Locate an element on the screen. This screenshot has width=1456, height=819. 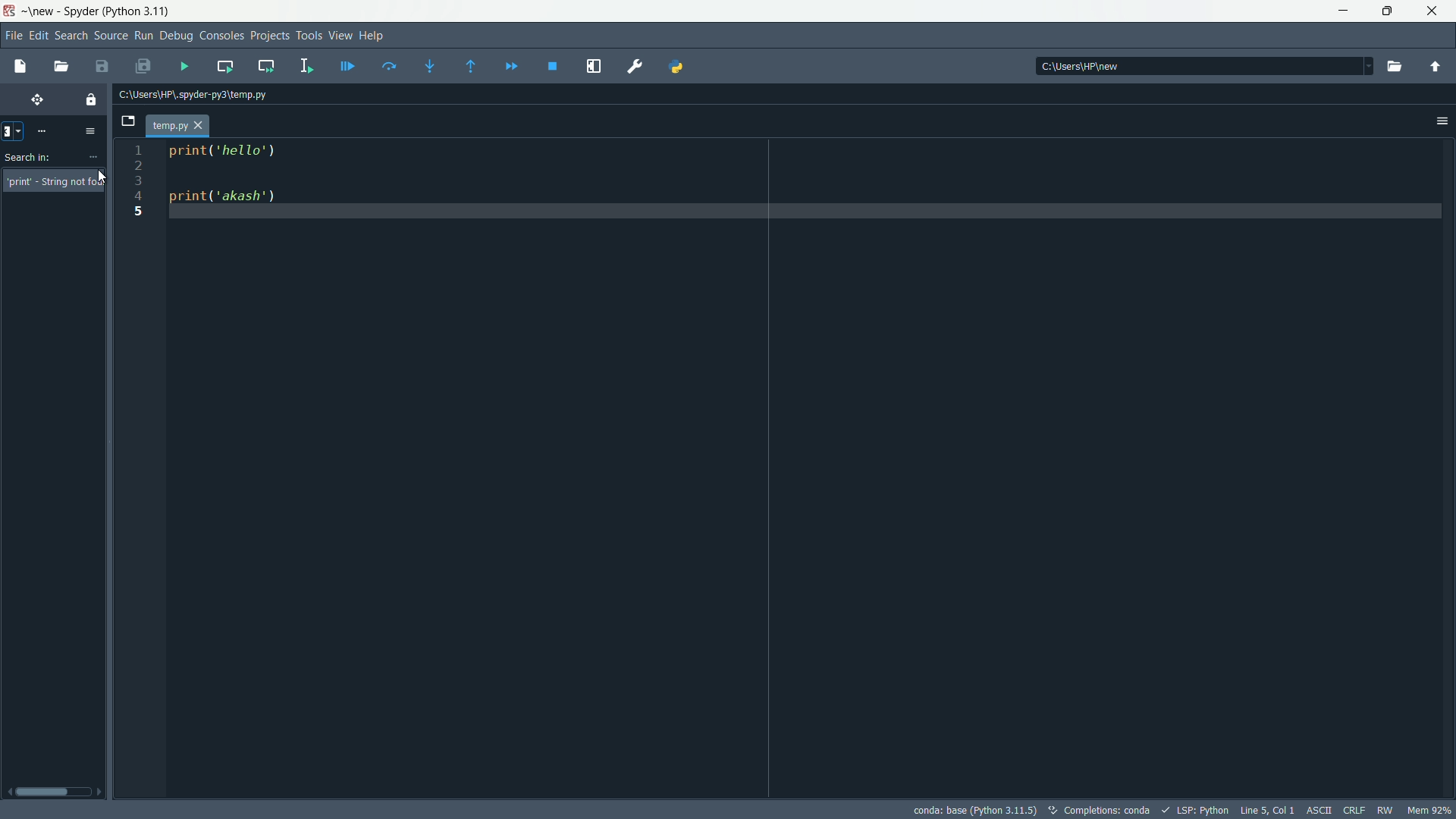
cursor position is located at coordinates (1265, 809).